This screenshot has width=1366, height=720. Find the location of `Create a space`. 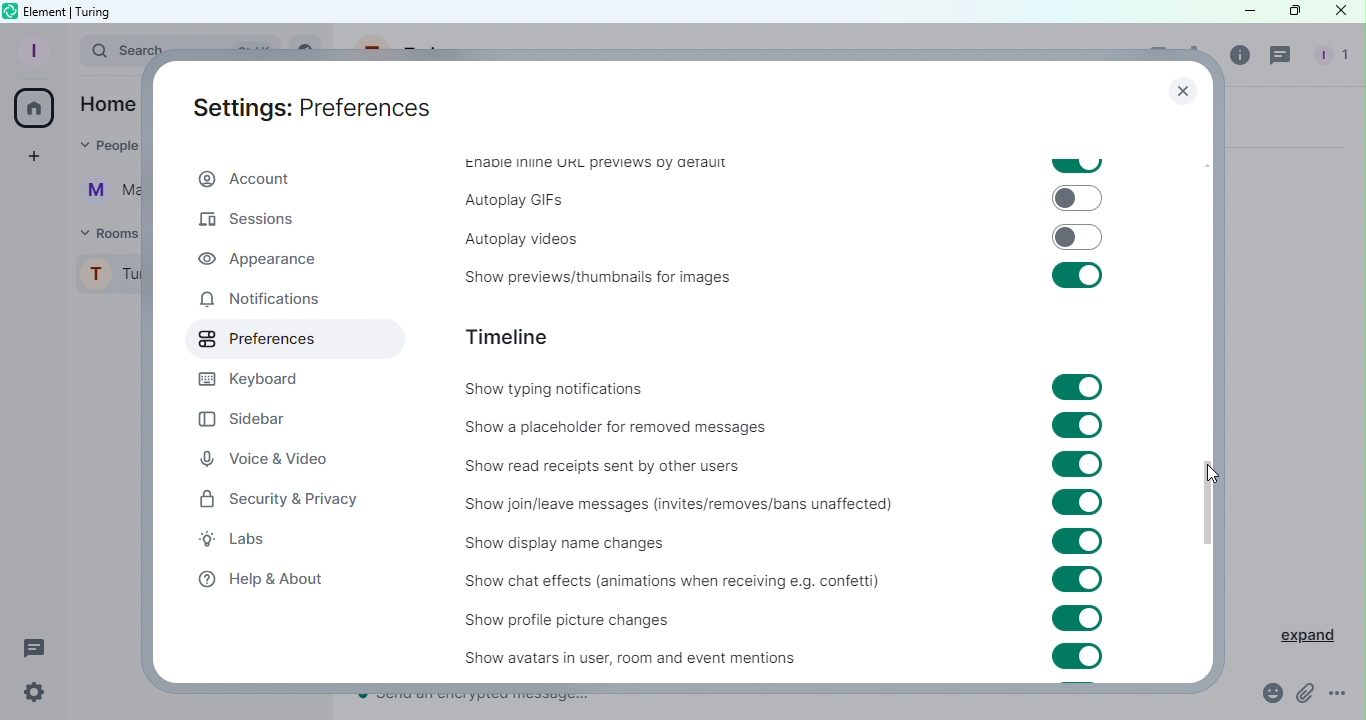

Create a space is located at coordinates (37, 156).